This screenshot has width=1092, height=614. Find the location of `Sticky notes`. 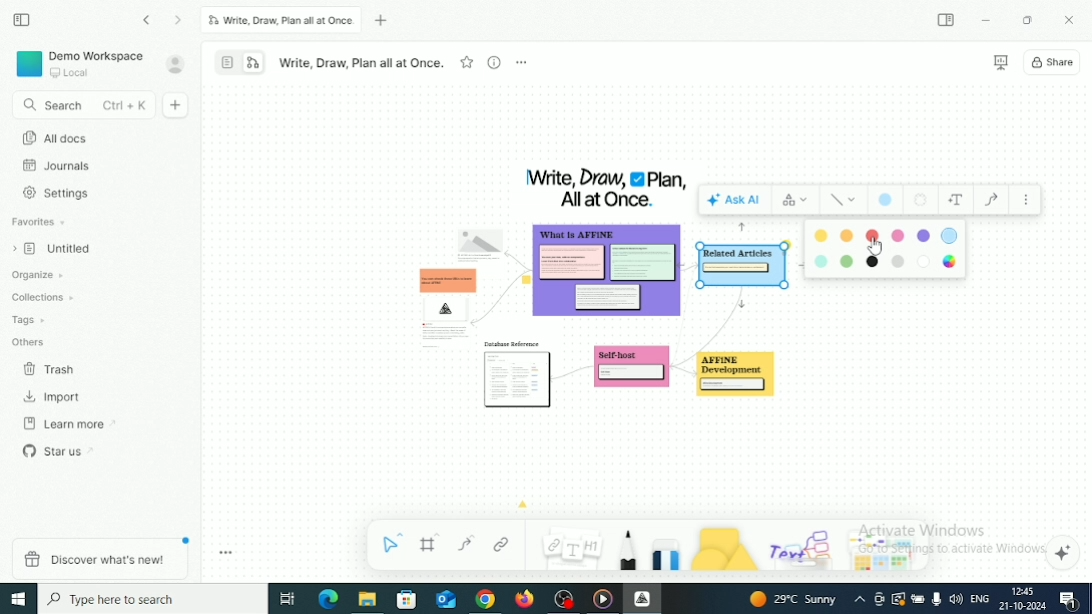

Sticky notes is located at coordinates (519, 377).